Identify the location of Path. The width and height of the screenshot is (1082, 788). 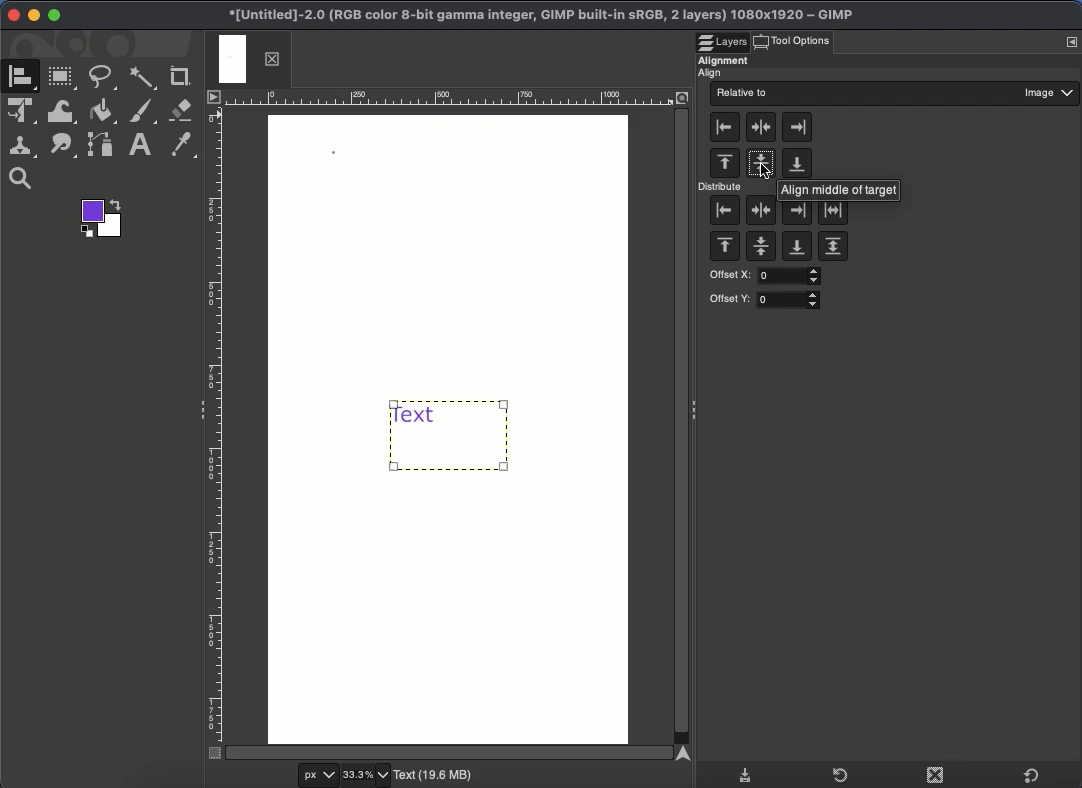
(99, 147).